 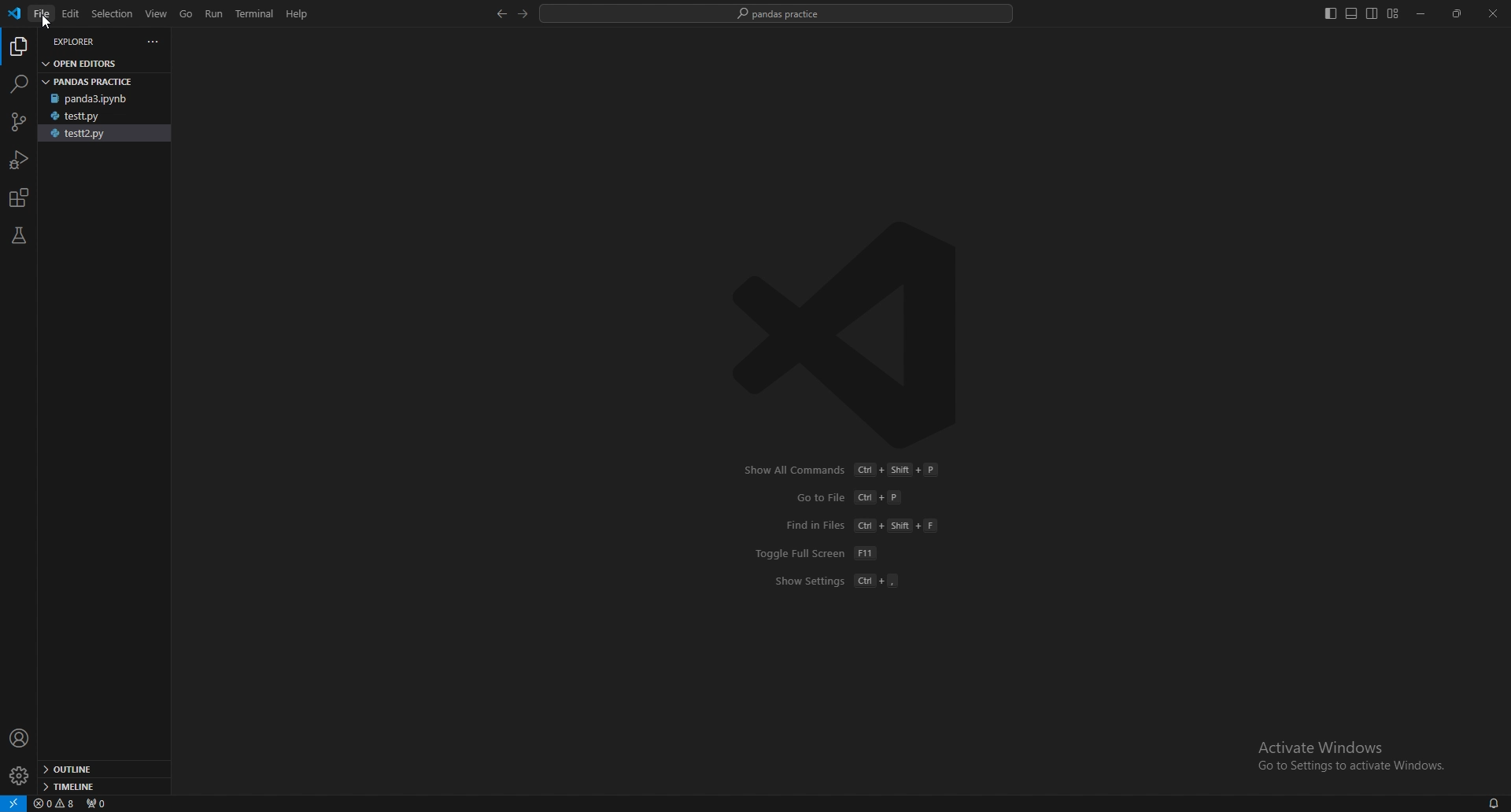 What do you see at coordinates (844, 536) in the screenshot?
I see `Show All Commands Ct + Shift + P
GotoFile Cl +P
Find in Files (Ct + Shit + F
Toggle Full Screen [FT
Show Settings (Cl +,` at bounding box center [844, 536].